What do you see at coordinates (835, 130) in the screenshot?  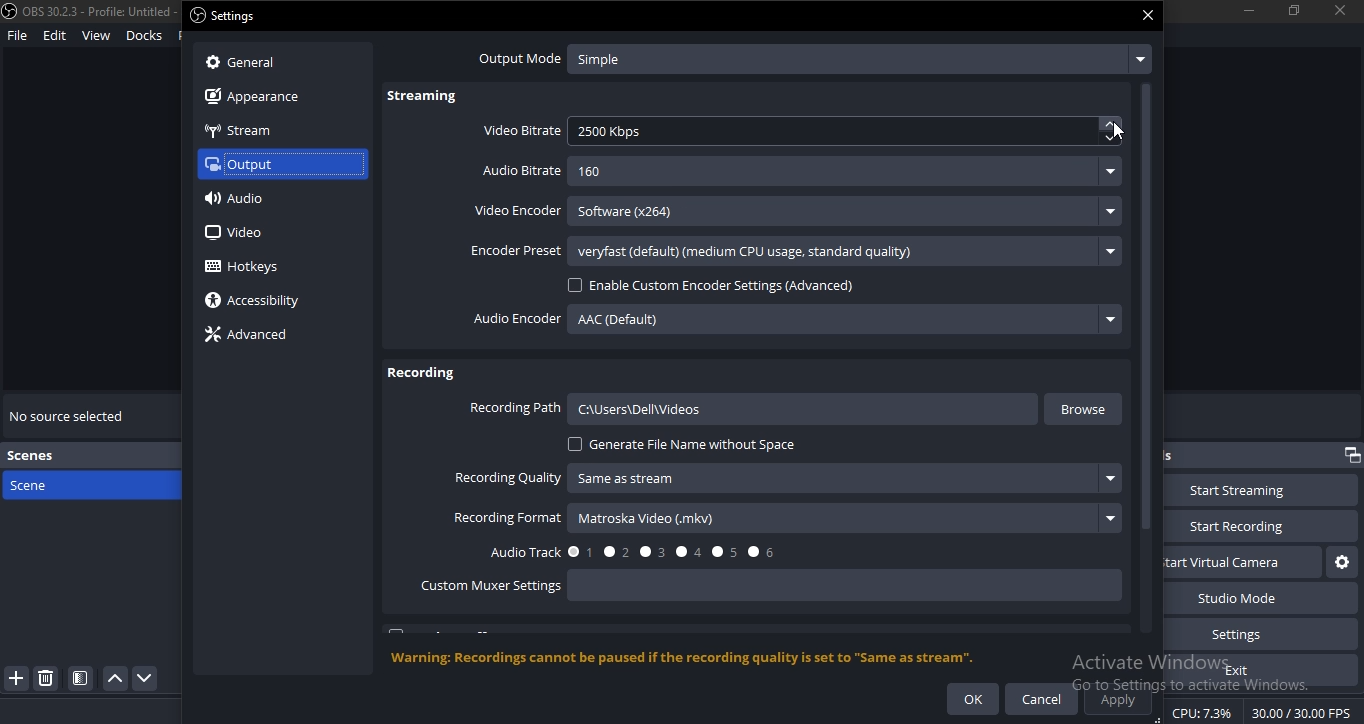 I see `2500 Kbps.` at bounding box center [835, 130].